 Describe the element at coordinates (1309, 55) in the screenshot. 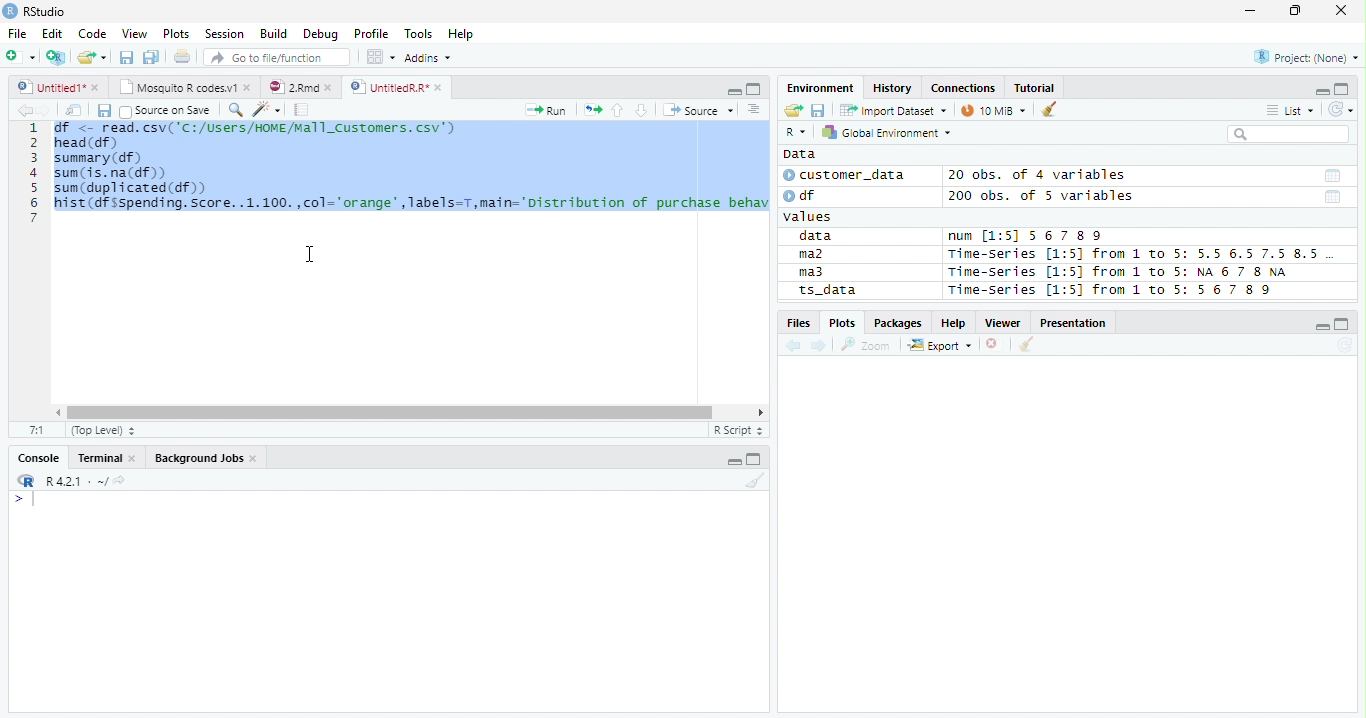

I see `Project (none)` at that location.